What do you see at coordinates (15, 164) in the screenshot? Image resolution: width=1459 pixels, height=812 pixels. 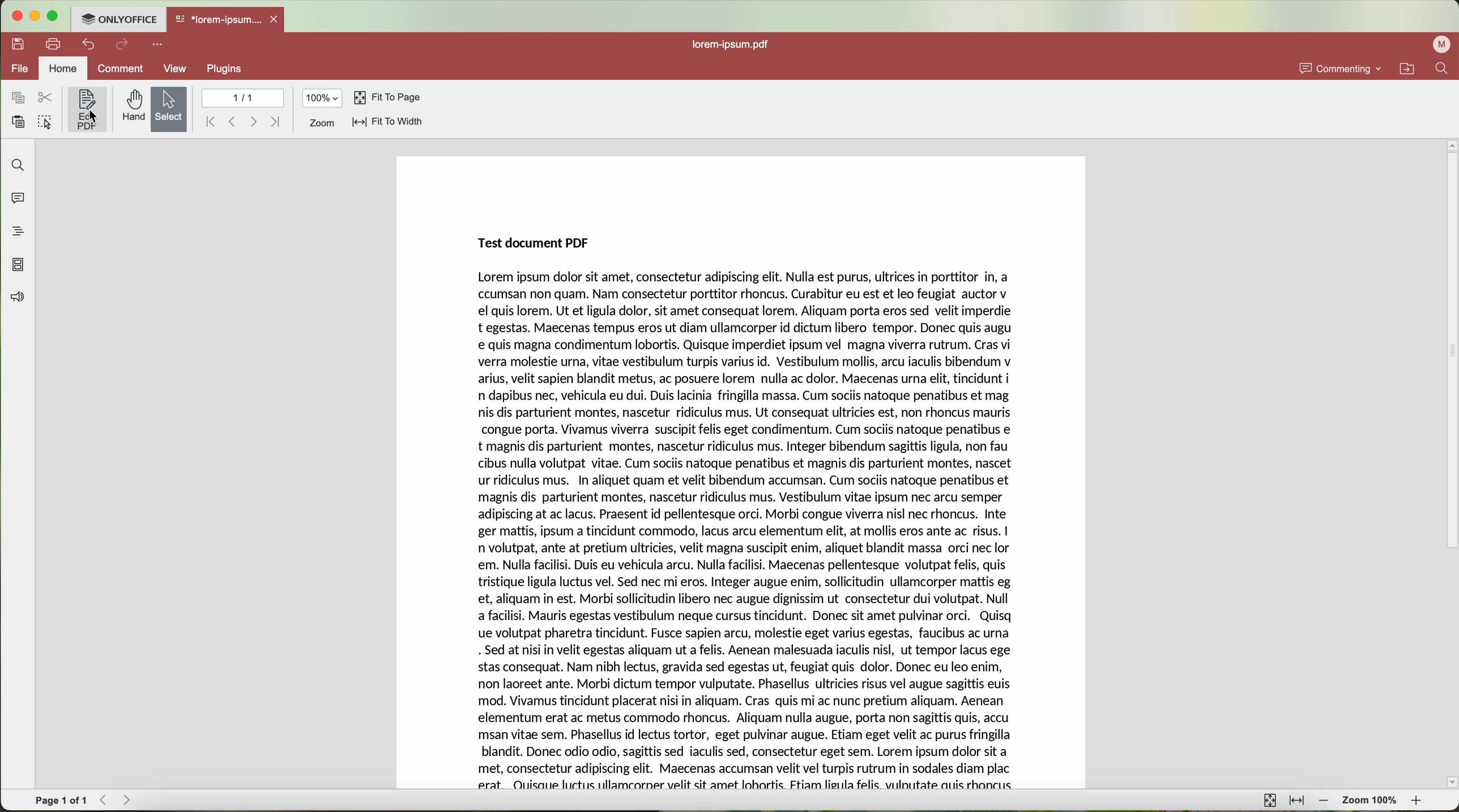 I see `find` at bounding box center [15, 164].